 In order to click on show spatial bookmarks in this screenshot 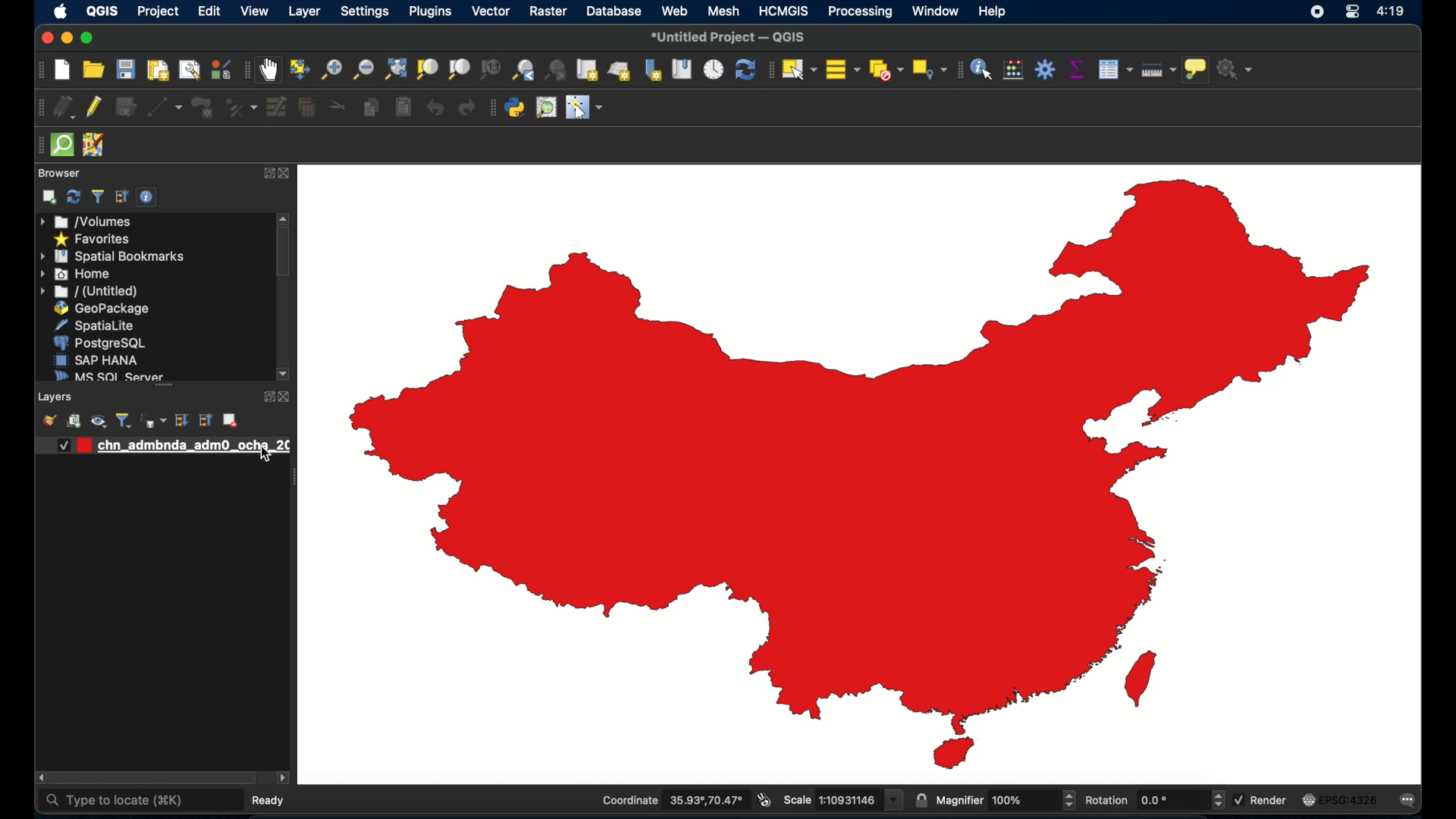, I will do `click(682, 71)`.